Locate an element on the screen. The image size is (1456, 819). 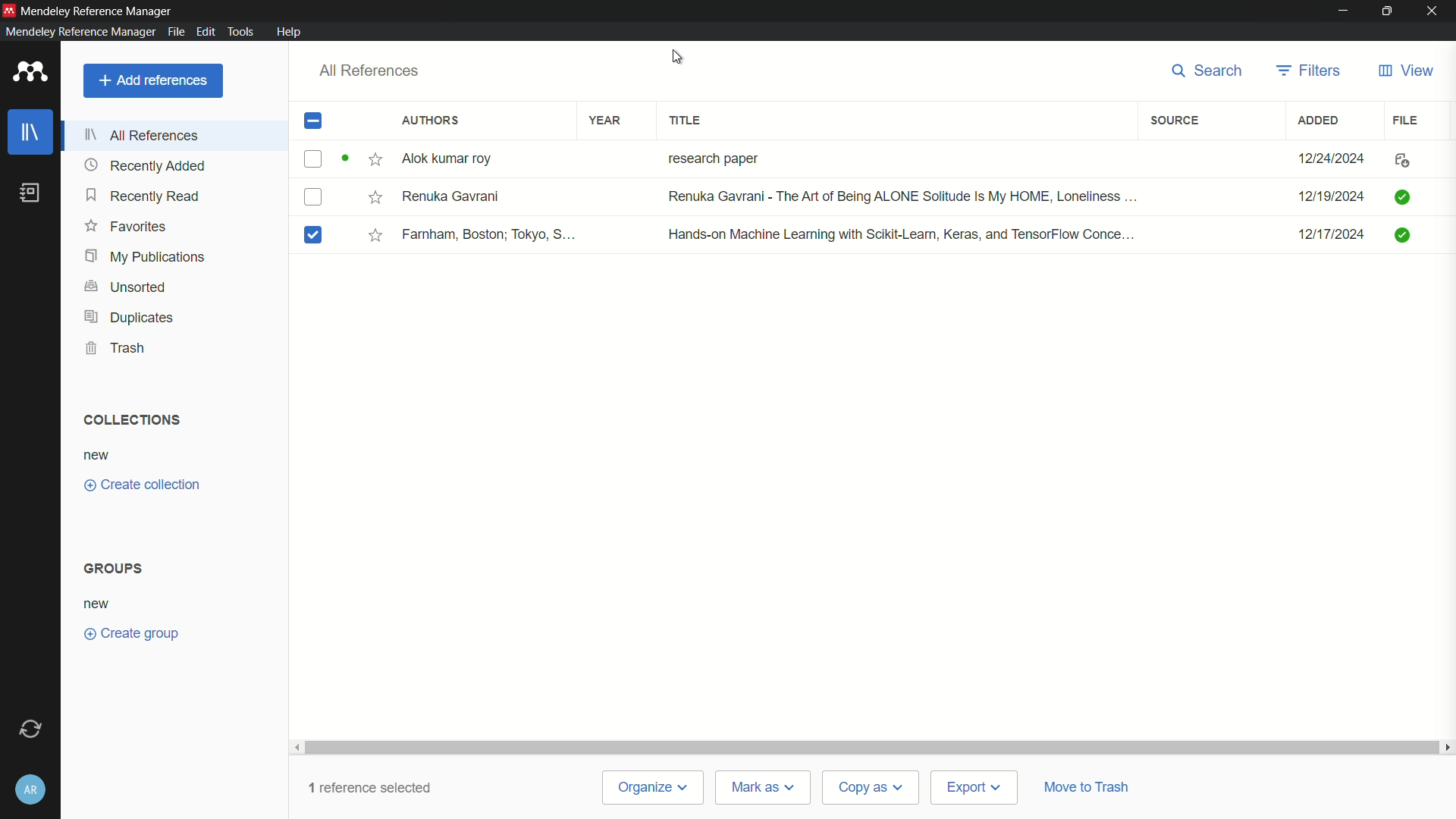
year is located at coordinates (606, 120).